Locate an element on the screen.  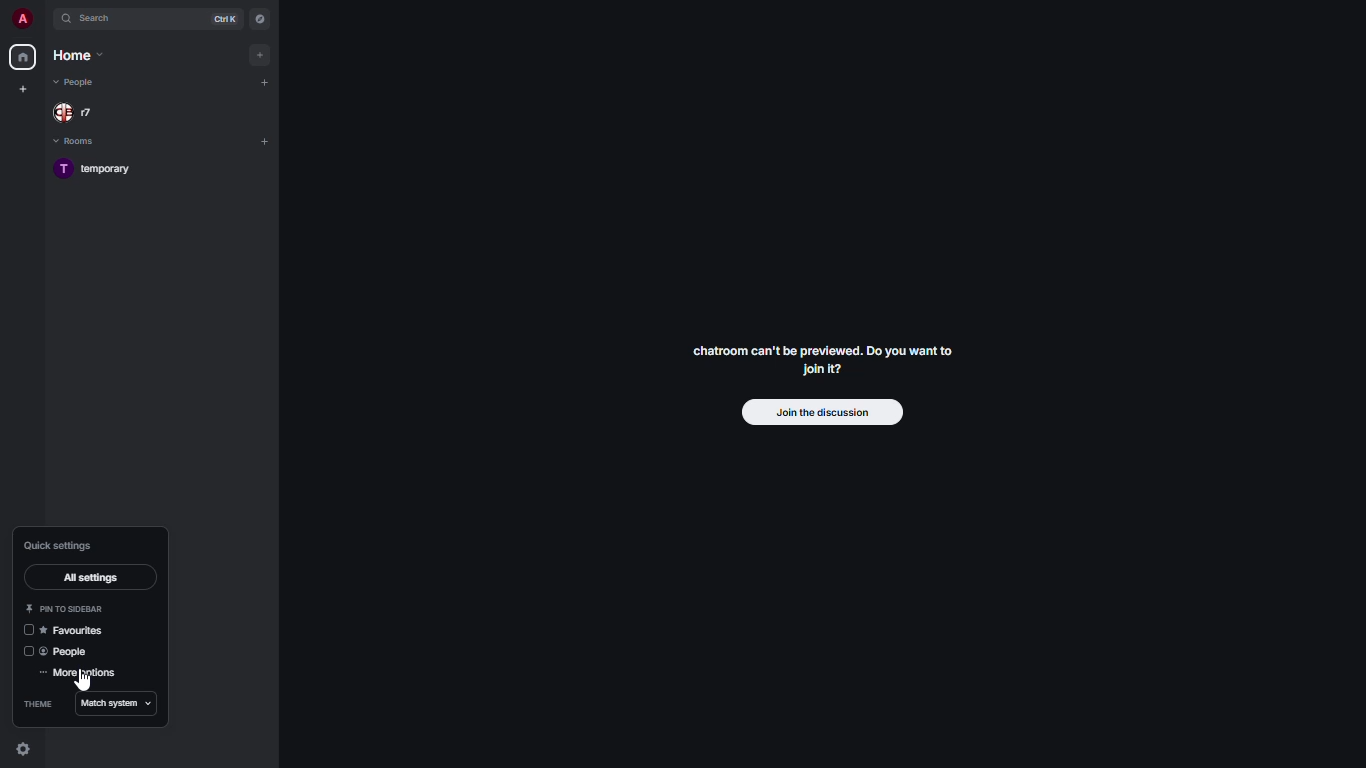
add is located at coordinates (262, 55).